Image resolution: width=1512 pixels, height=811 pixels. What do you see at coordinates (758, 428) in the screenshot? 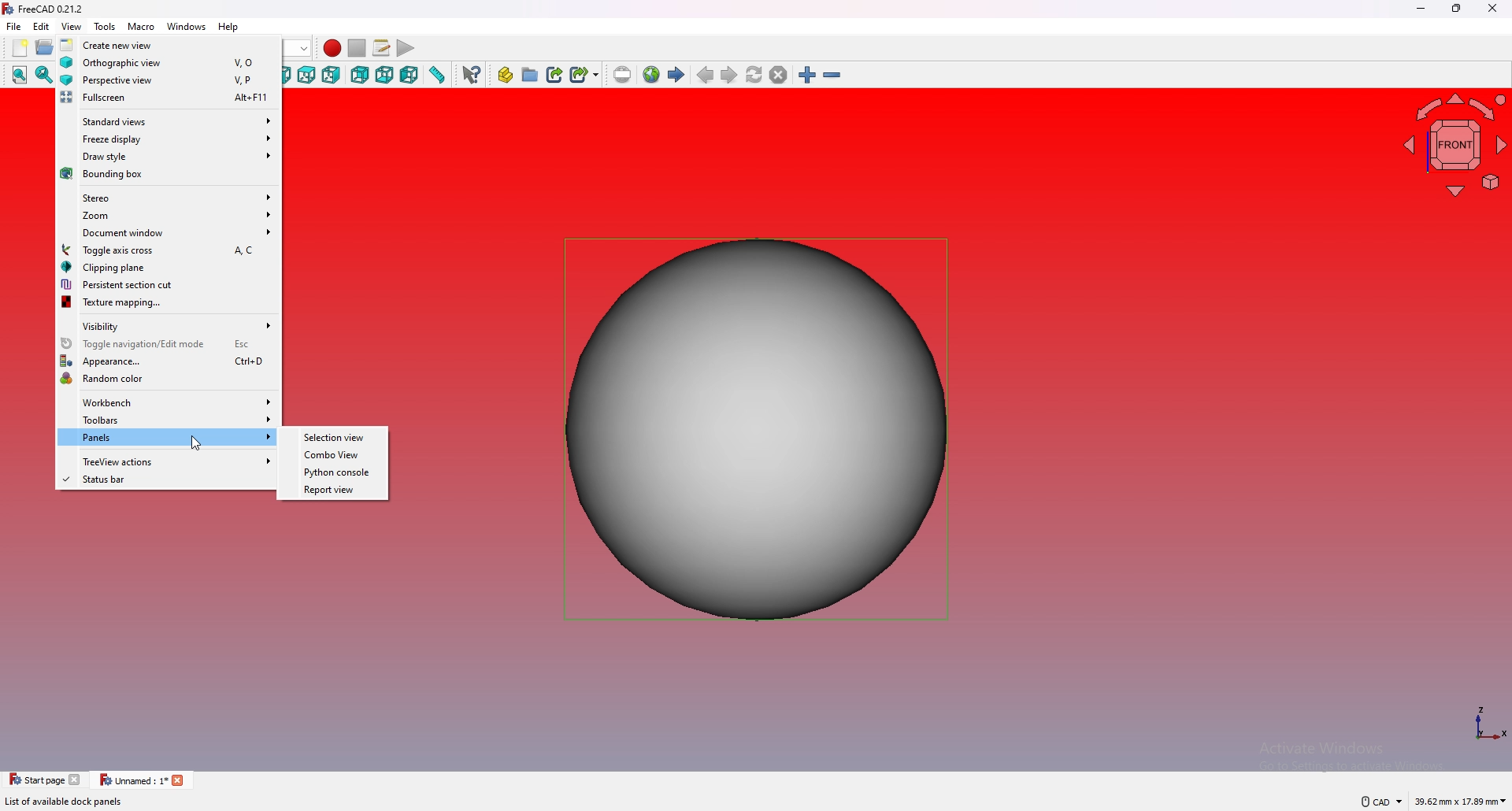
I see `sphere` at bounding box center [758, 428].